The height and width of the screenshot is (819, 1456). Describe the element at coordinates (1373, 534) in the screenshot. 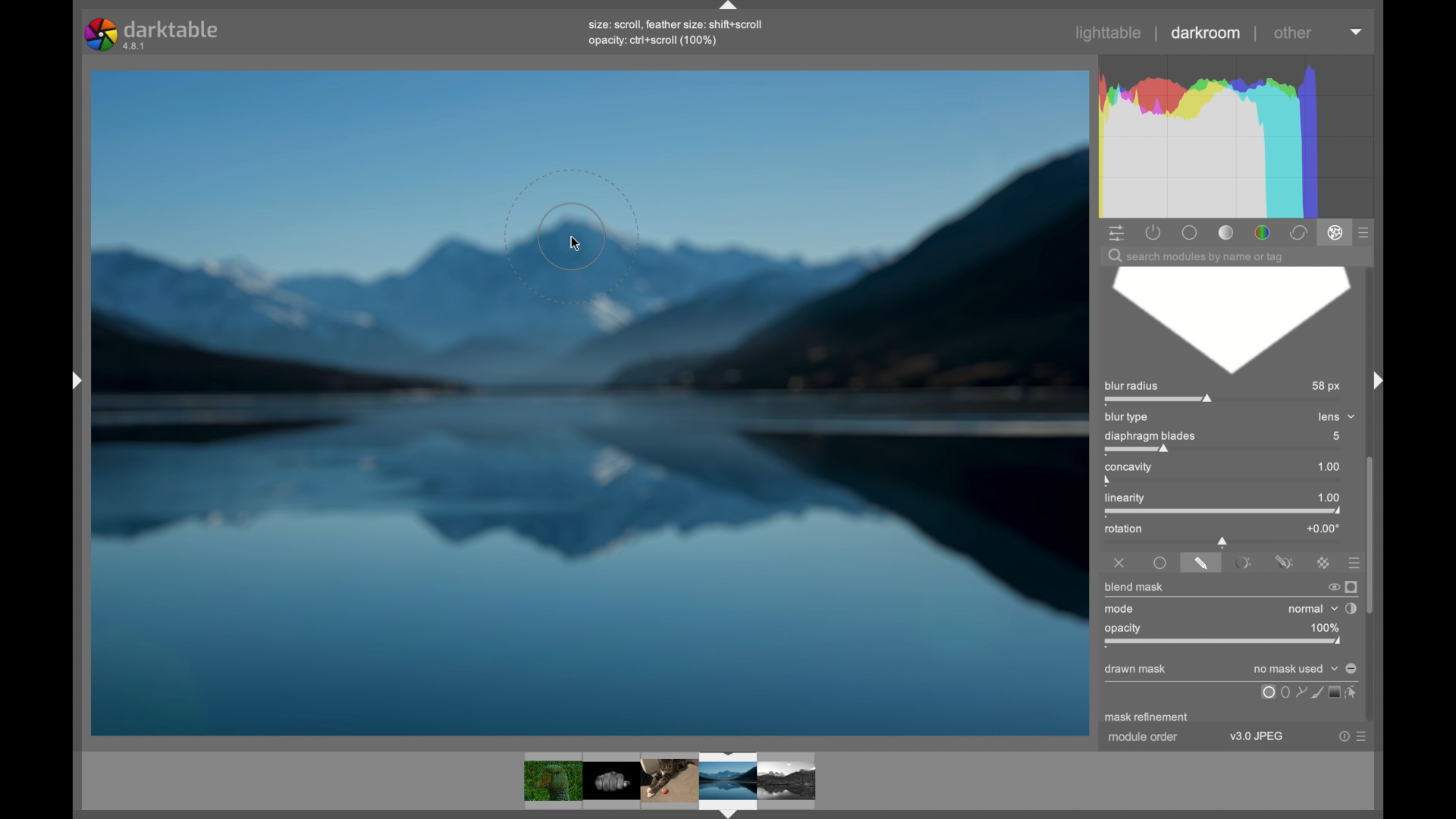

I see `scroll box` at that location.